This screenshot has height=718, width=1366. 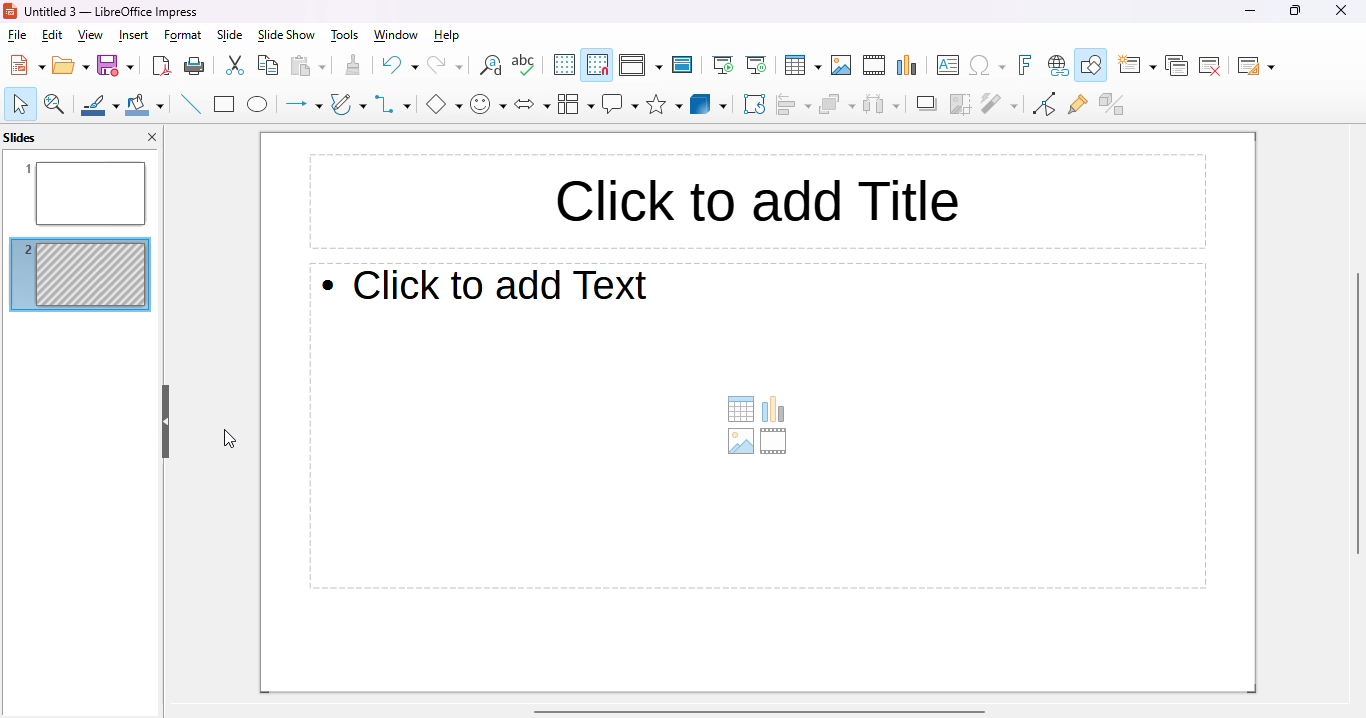 I want to click on rotate, so click(x=755, y=103).